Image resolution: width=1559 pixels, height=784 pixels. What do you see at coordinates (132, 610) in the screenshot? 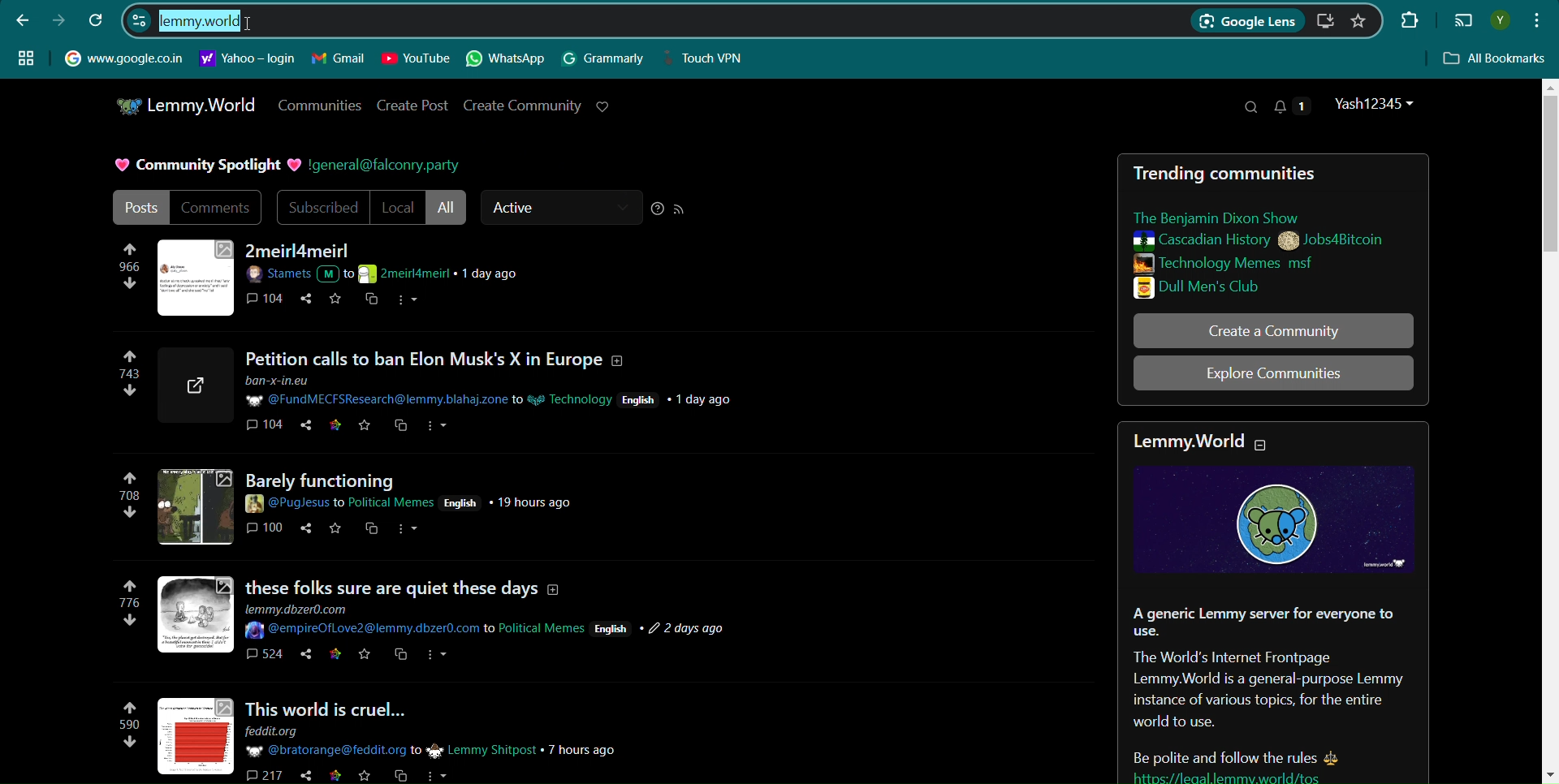
I see `706` at bounding box center [132, 610].